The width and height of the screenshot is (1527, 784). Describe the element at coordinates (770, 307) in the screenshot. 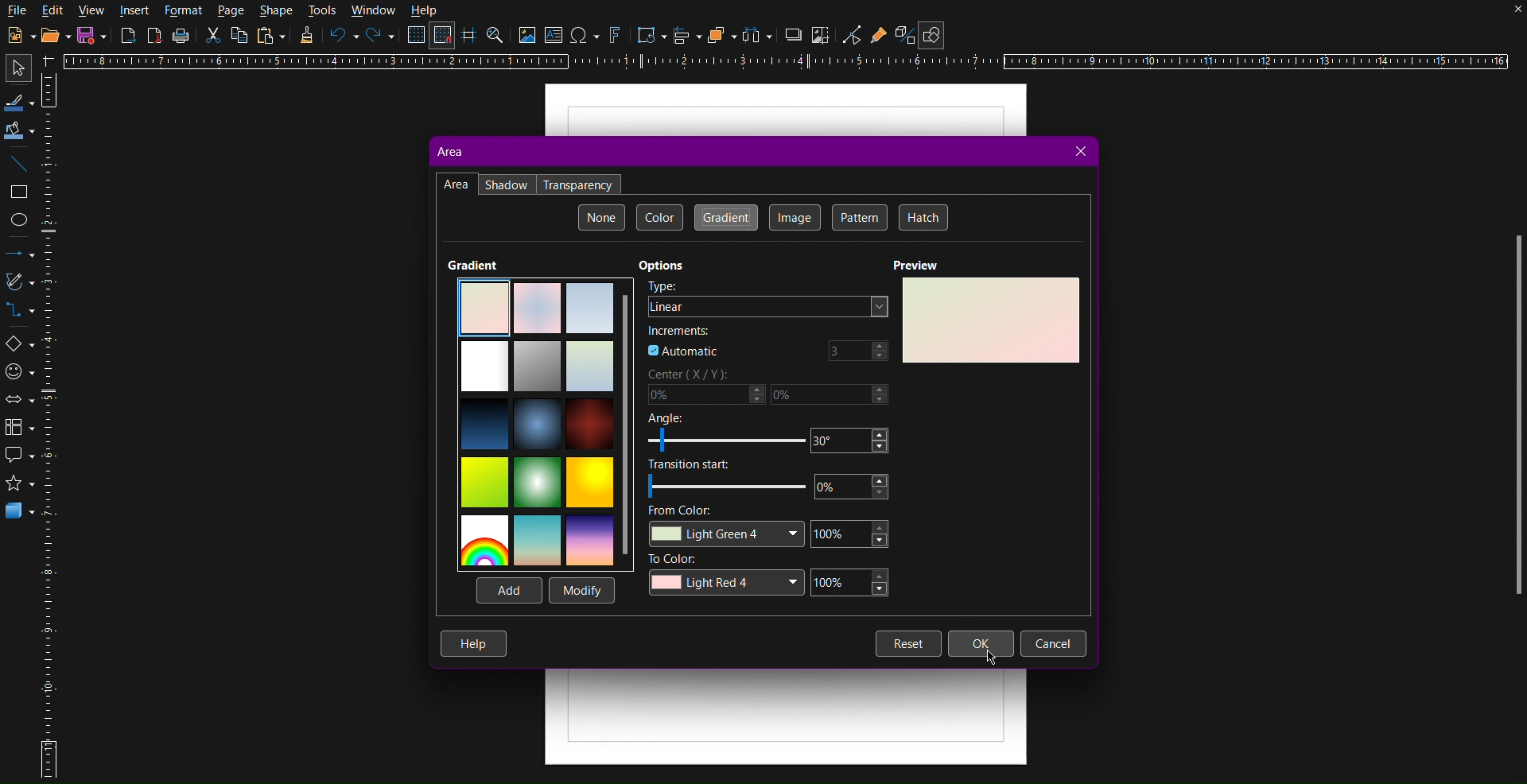

I see `Linear` at that location.